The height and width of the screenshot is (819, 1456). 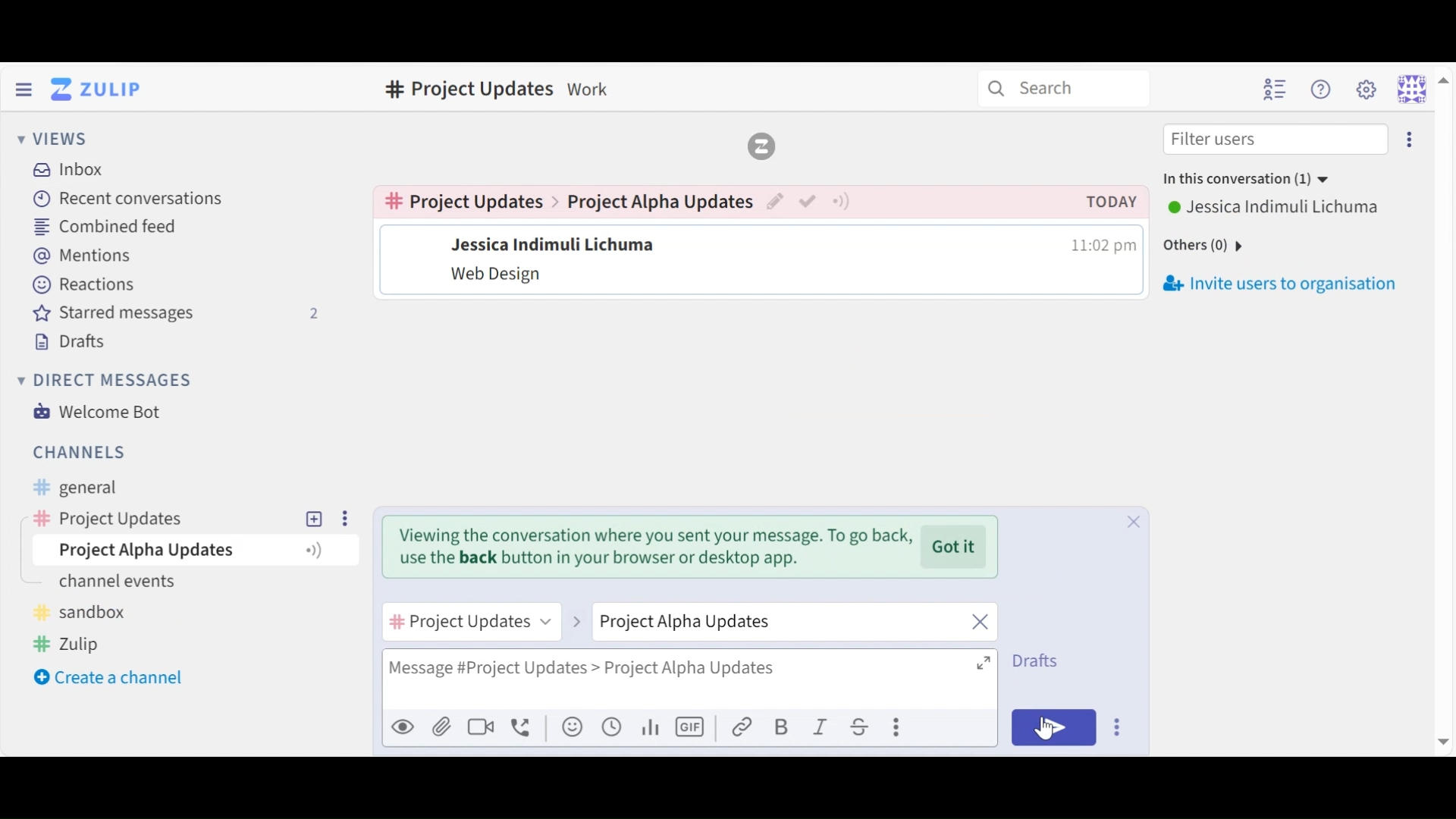 I want to click on Italics, so click(x=821, y=726).